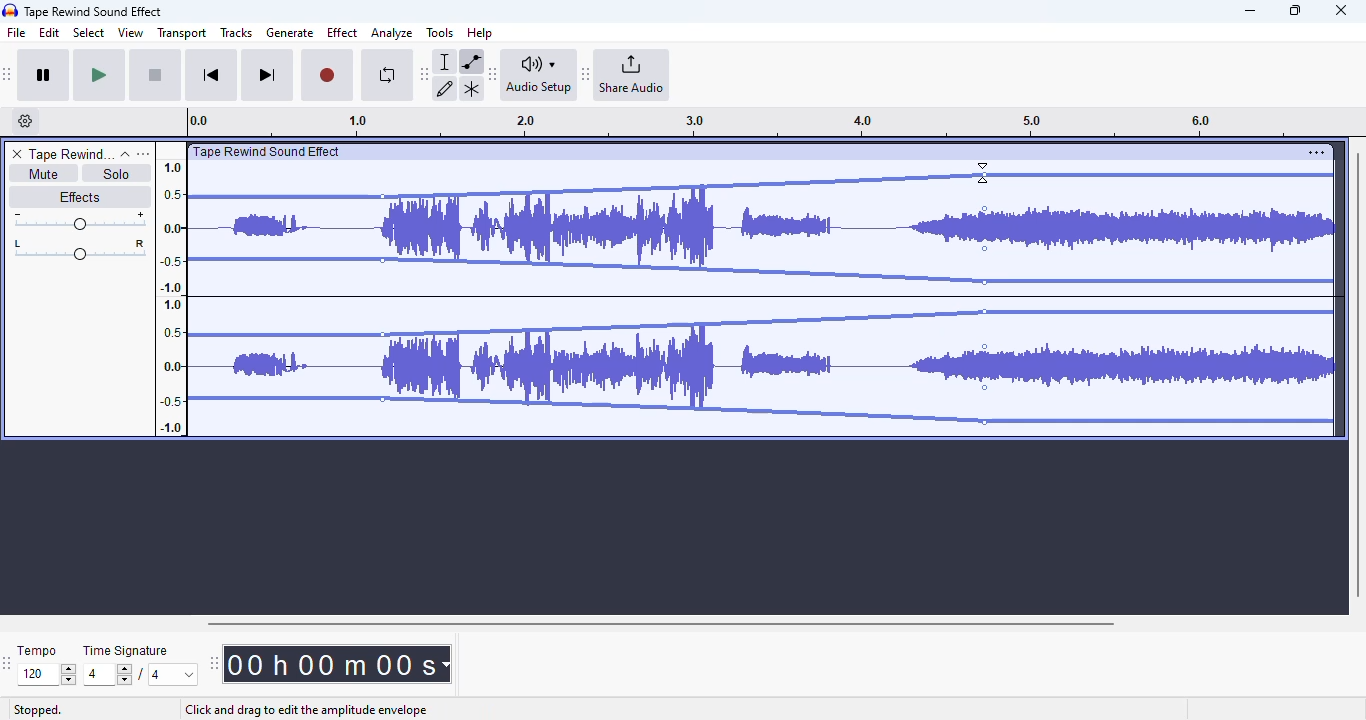 This screenshot has height=720, width=1366. What do you see at coordinates (329, 664) in the screenshot?
I see `Current track time` at bounding box center [329, 664].